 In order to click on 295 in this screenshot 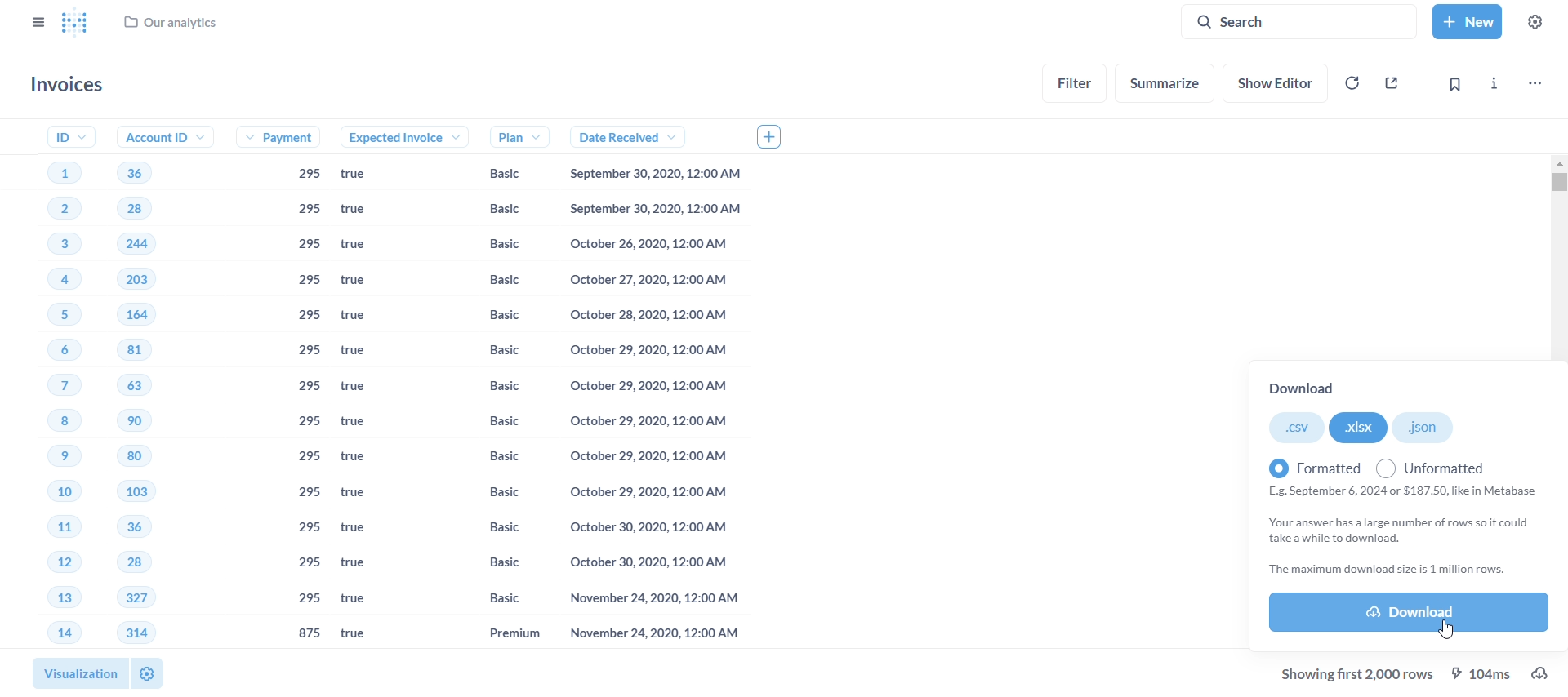, I will do `click(310, 491)`.